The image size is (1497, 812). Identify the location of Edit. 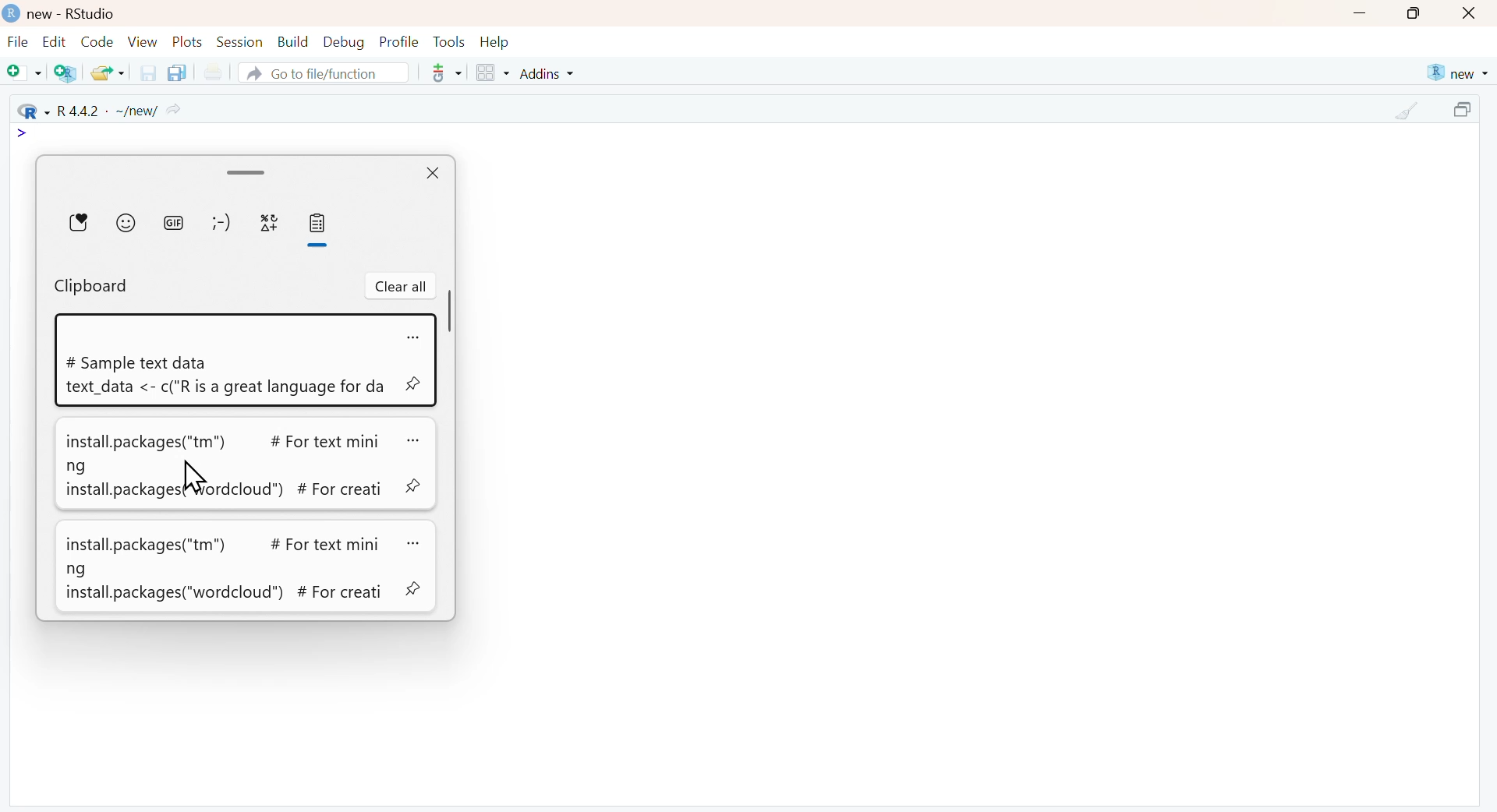
(53, 42).